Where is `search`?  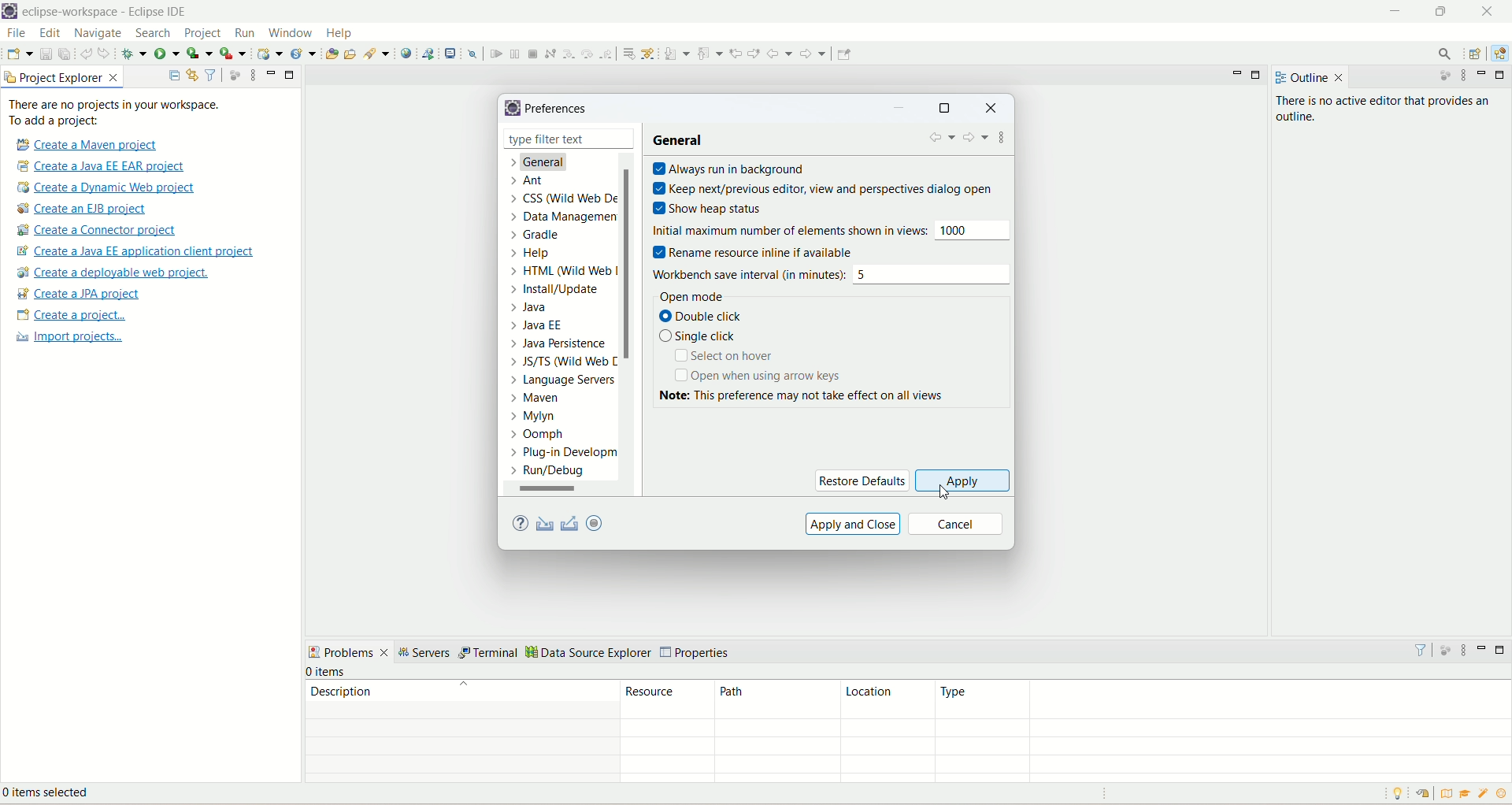 search is located at coordinates (378, 54).